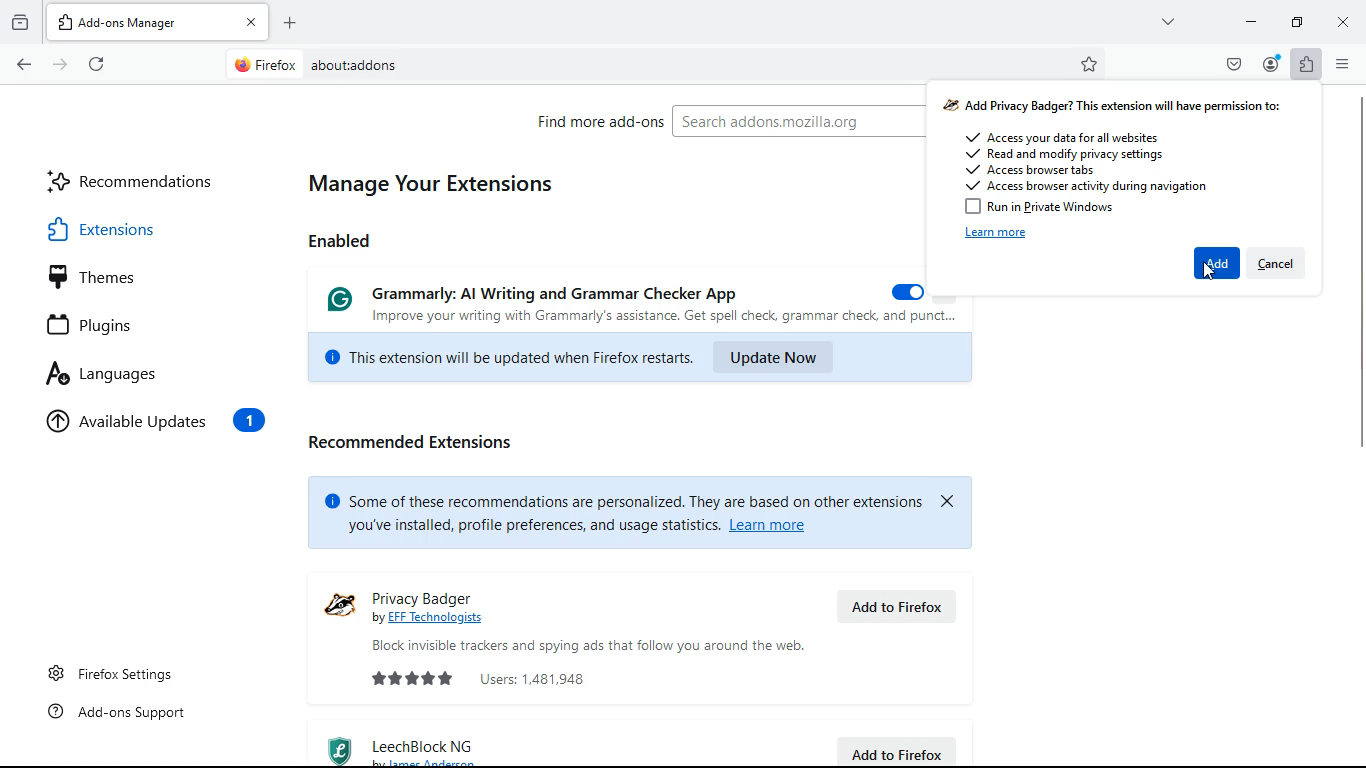 Image resolution: width=1366 pixels, height=768 pixels. Describe the element at coordinates (1070, 137) in the screenshot. I see `Access your data for all websites` at that location.